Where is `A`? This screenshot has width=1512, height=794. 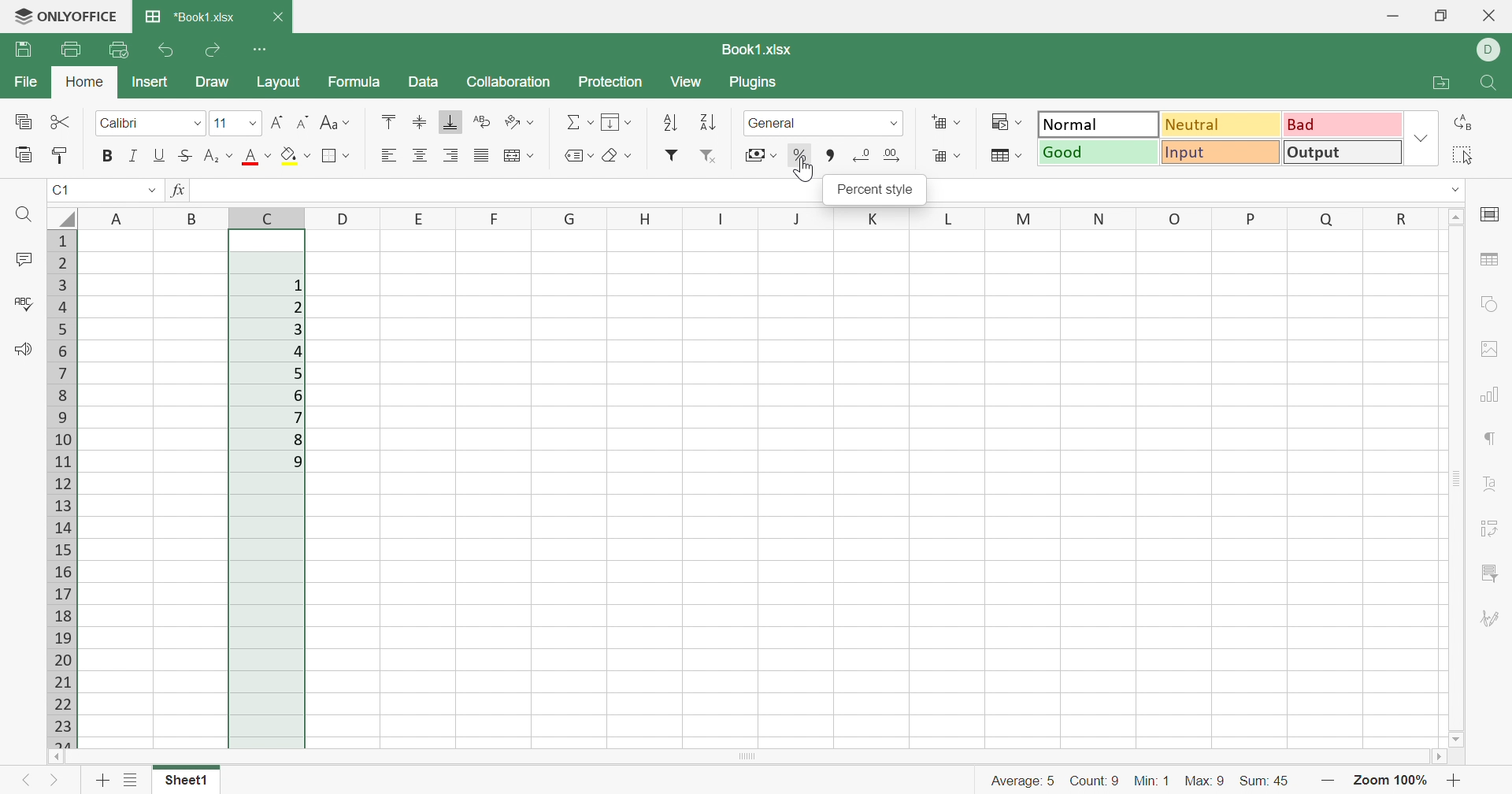
A is located at coordinates (119, 216).